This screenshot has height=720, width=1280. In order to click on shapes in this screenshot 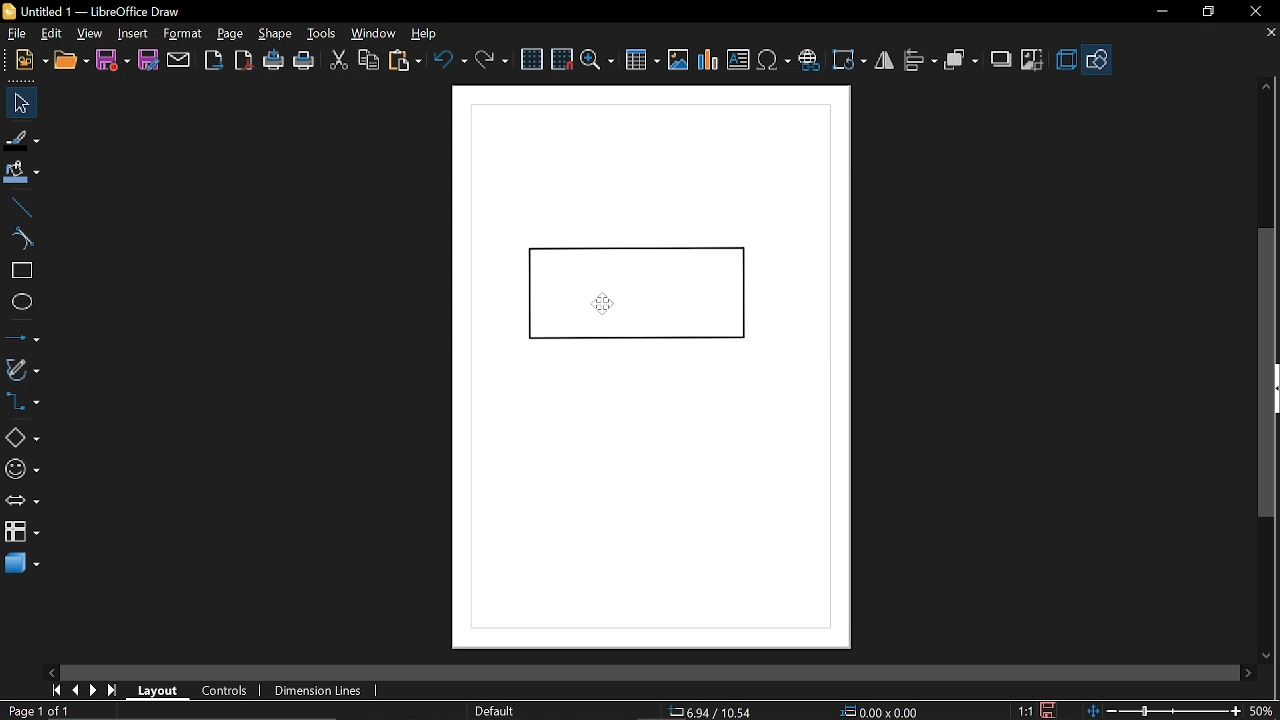, I will do `click(1096, 58)`.